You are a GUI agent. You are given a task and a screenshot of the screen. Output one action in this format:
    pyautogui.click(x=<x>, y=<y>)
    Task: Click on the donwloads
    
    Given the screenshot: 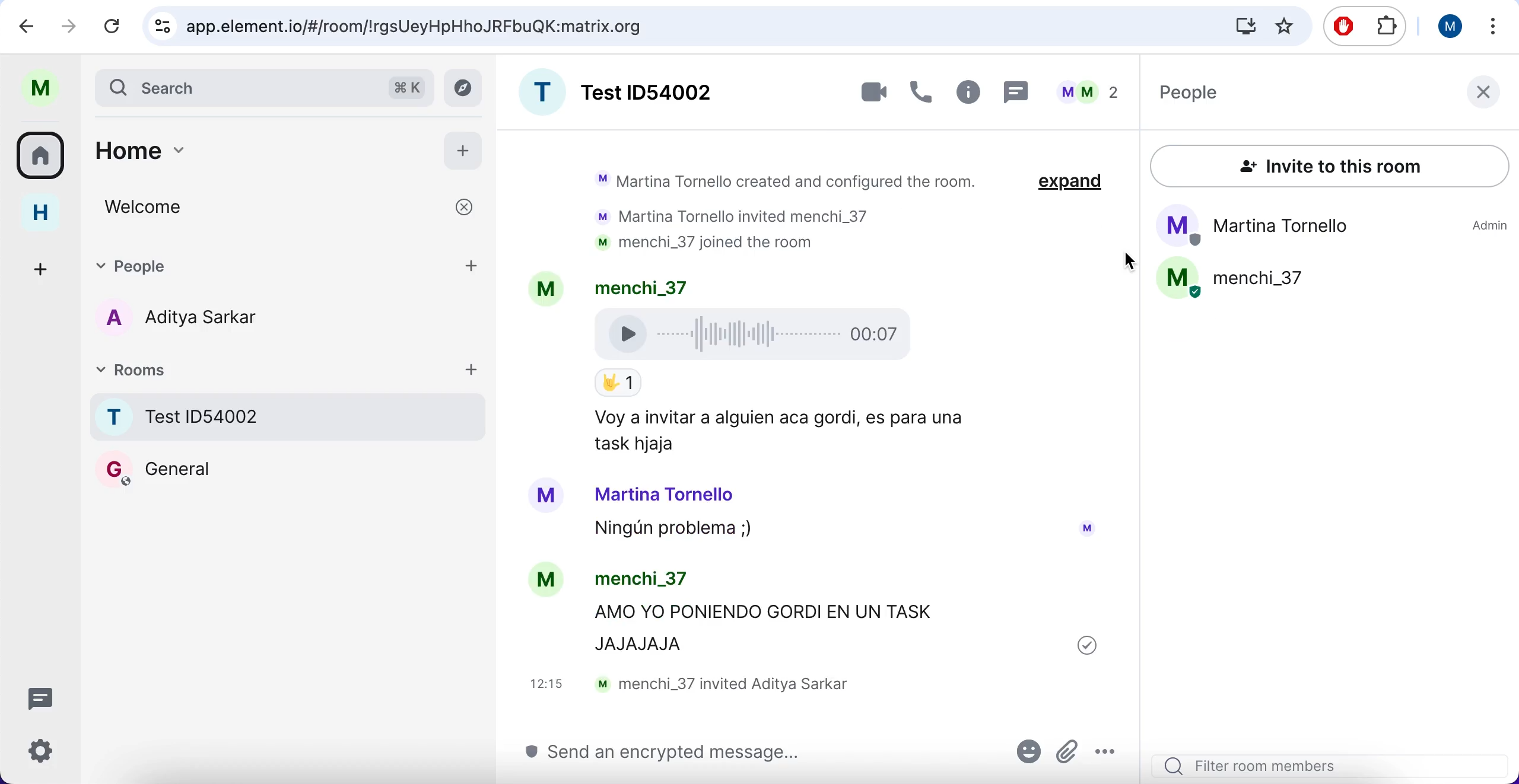 What is the action you would take?
    pyautogui.click(x=1242, y=27)
    